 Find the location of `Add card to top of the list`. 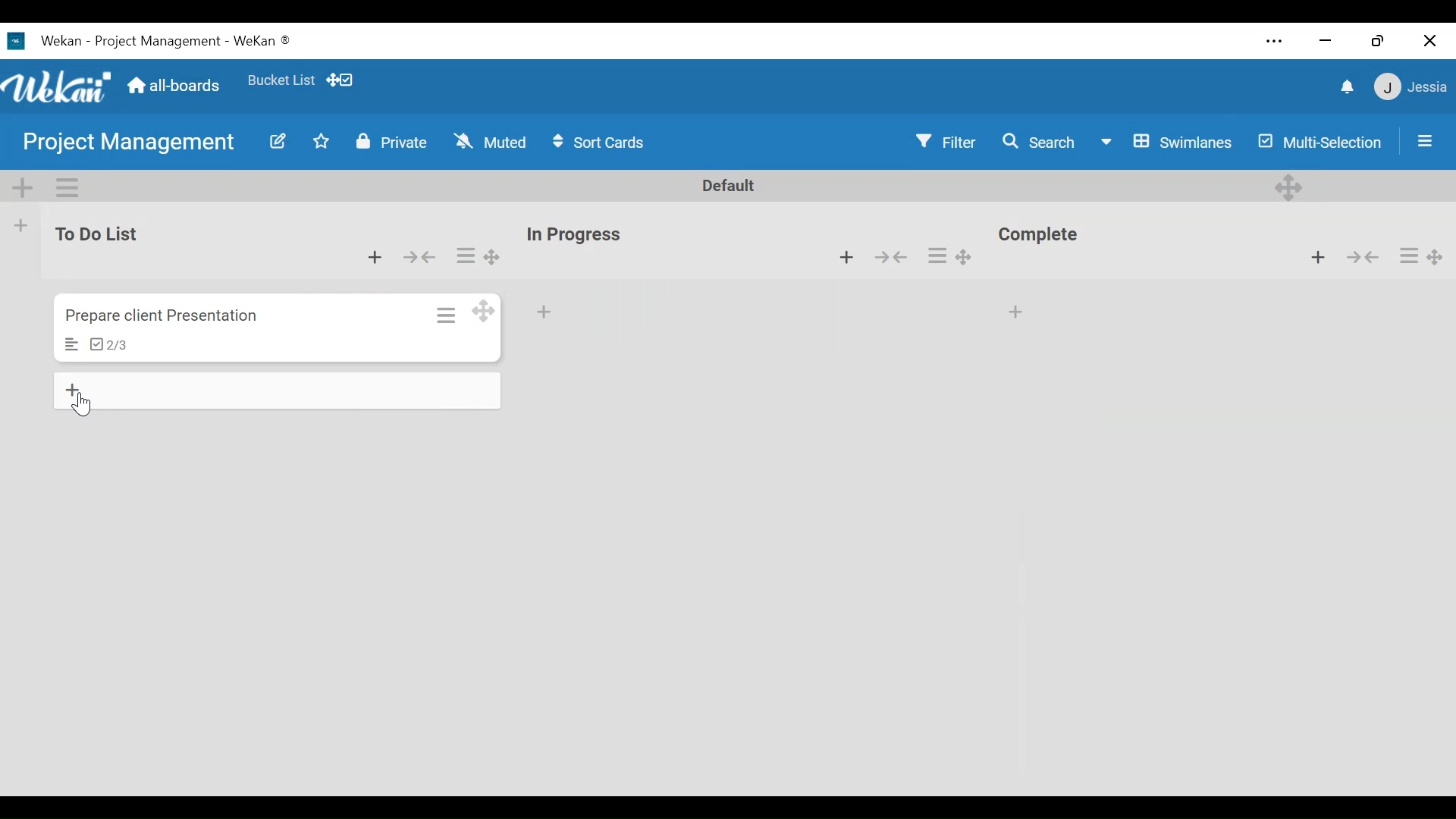

Add card to top of the list is located at coordinates (372, 255).